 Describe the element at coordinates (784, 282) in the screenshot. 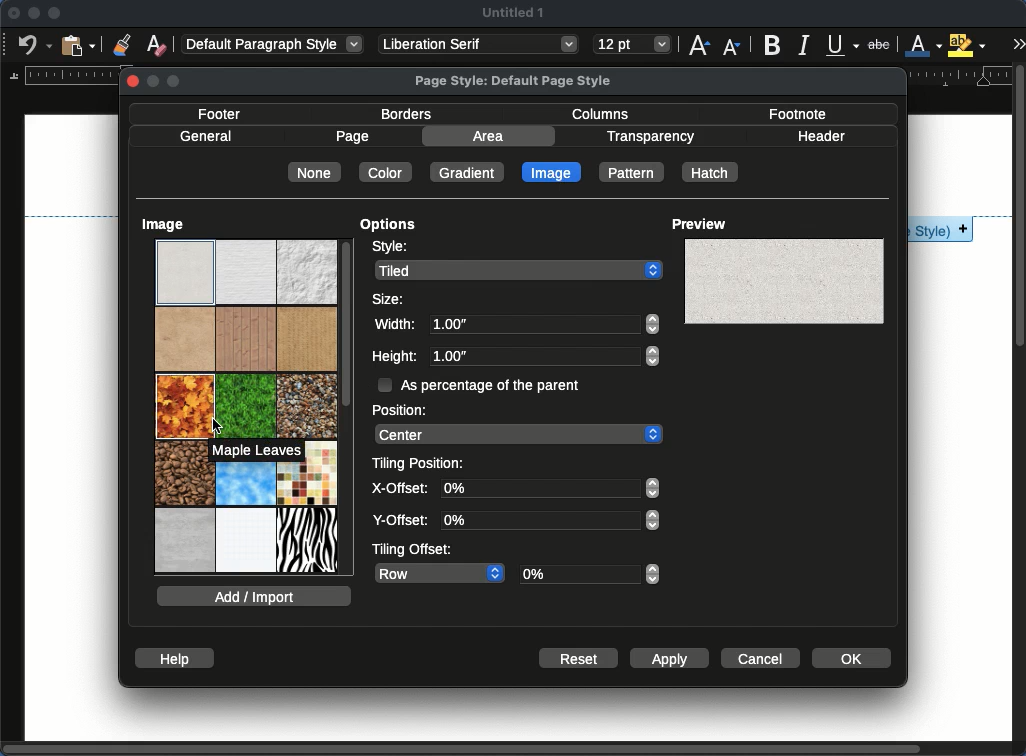

I see `board` at that location.